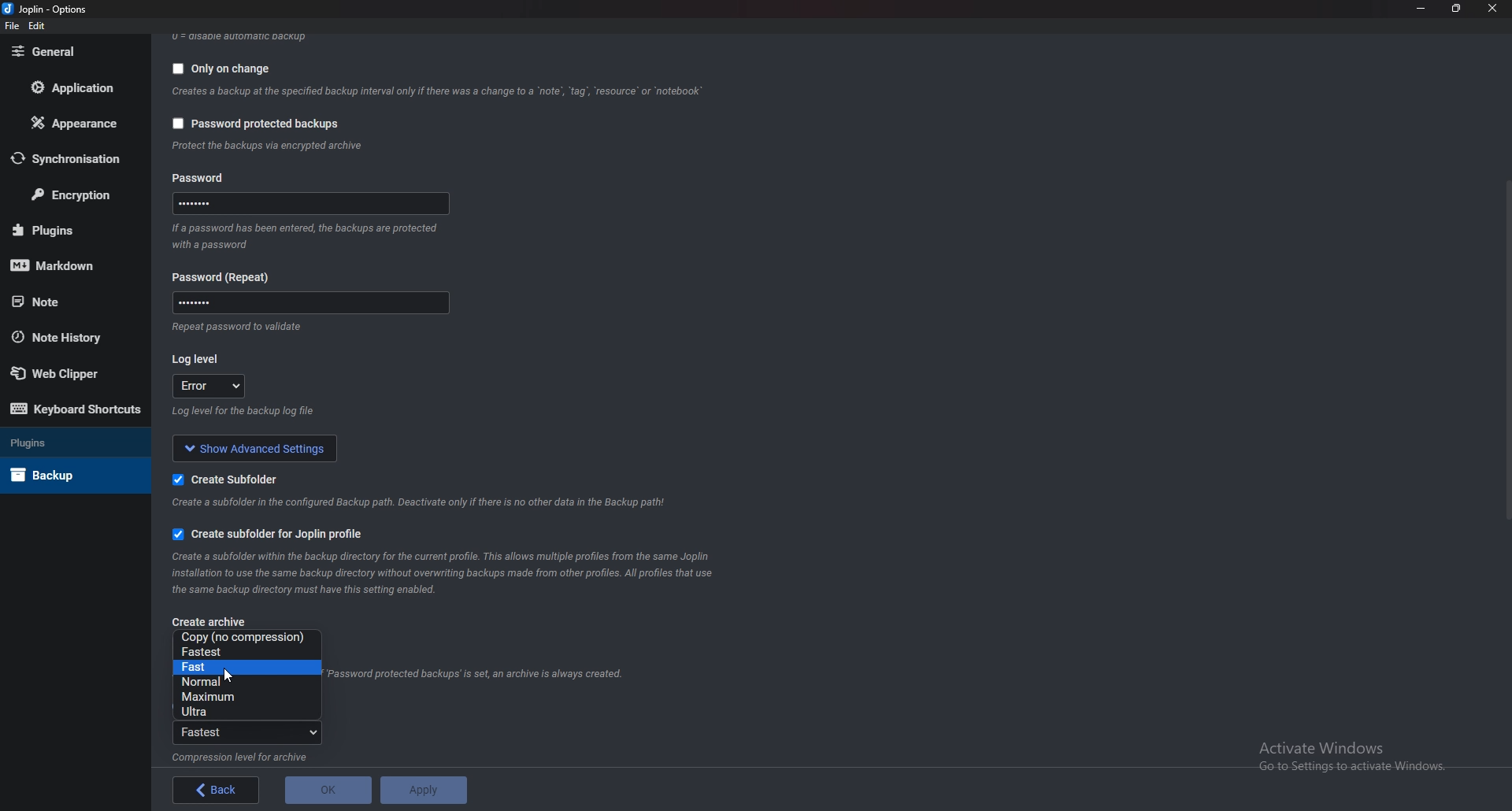  What do you see at coordinates (233, 683) in the screenshot?
I see `Normal` at bounding box center [233, 683].